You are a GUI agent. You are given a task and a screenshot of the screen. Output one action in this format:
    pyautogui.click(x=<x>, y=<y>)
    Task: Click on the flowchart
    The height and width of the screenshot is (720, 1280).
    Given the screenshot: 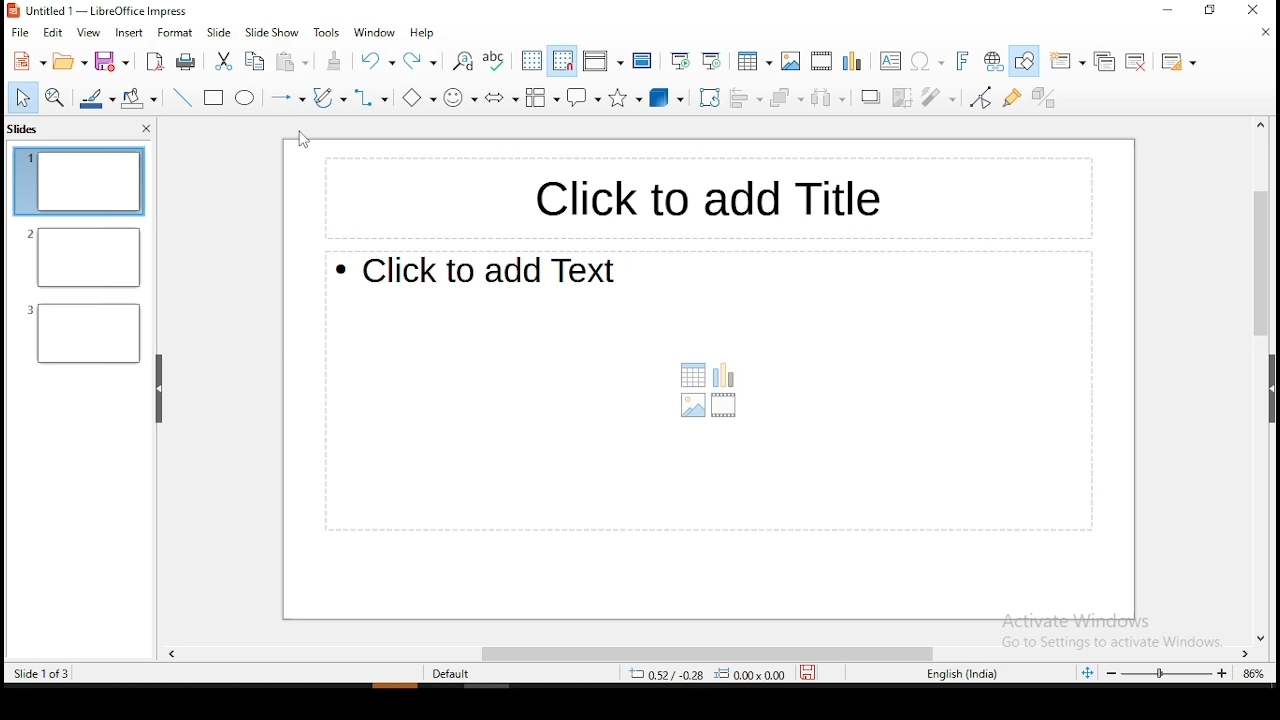 What is the action you would take?
    pyautogui.click(x=543, y=99)
    